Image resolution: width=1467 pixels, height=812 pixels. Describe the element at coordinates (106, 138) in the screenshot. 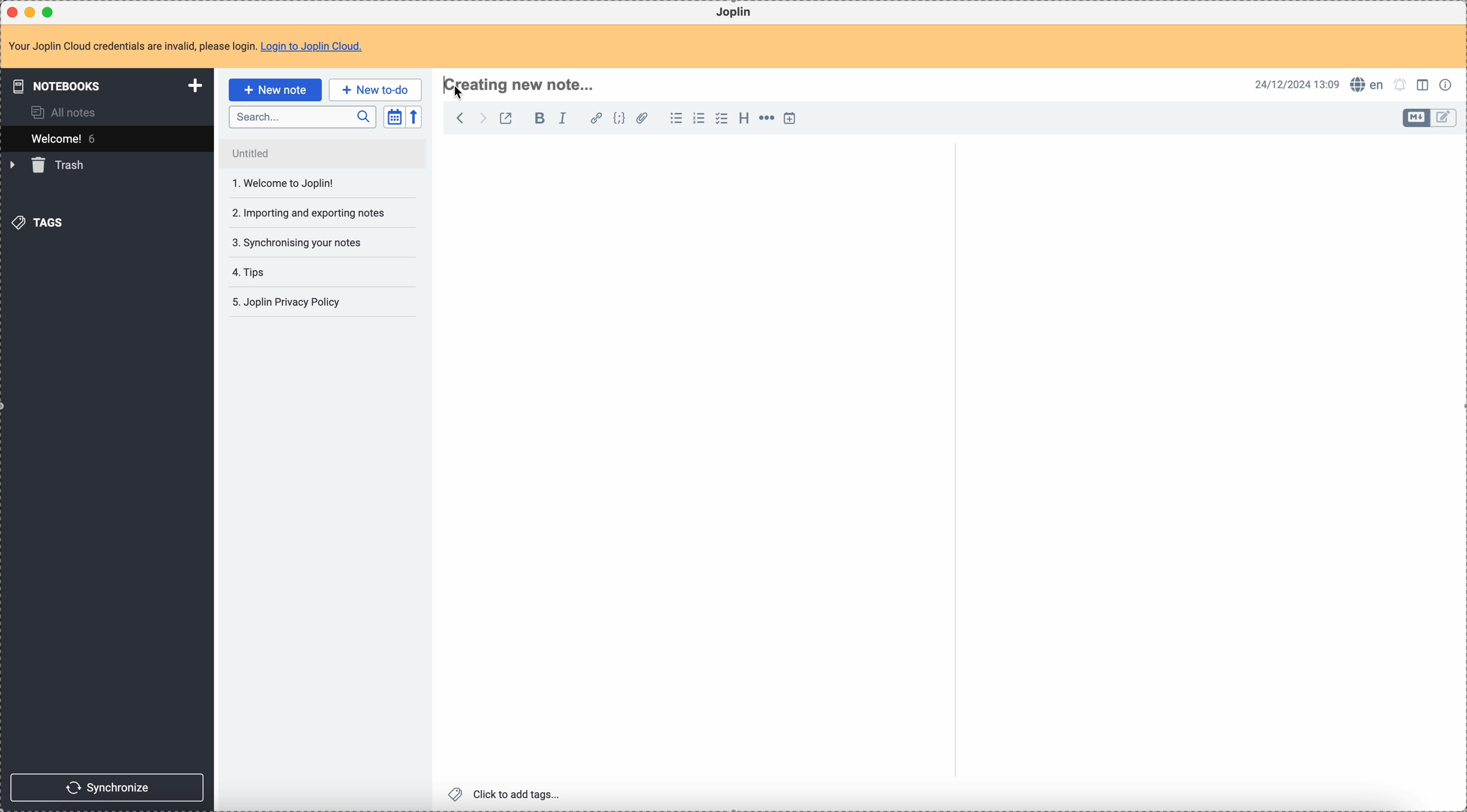

I see `welcome` at that location.